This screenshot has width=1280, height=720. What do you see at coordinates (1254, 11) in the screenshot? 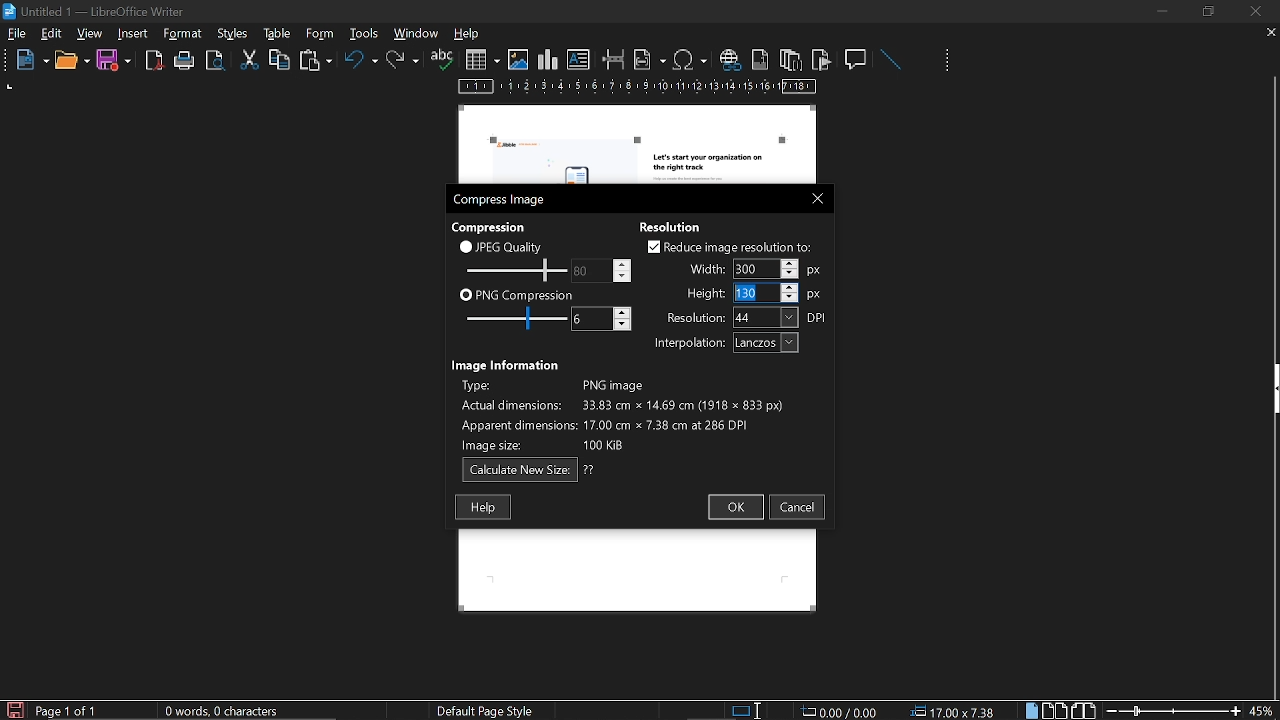
I see `close` at bounding box center [1254, 11].